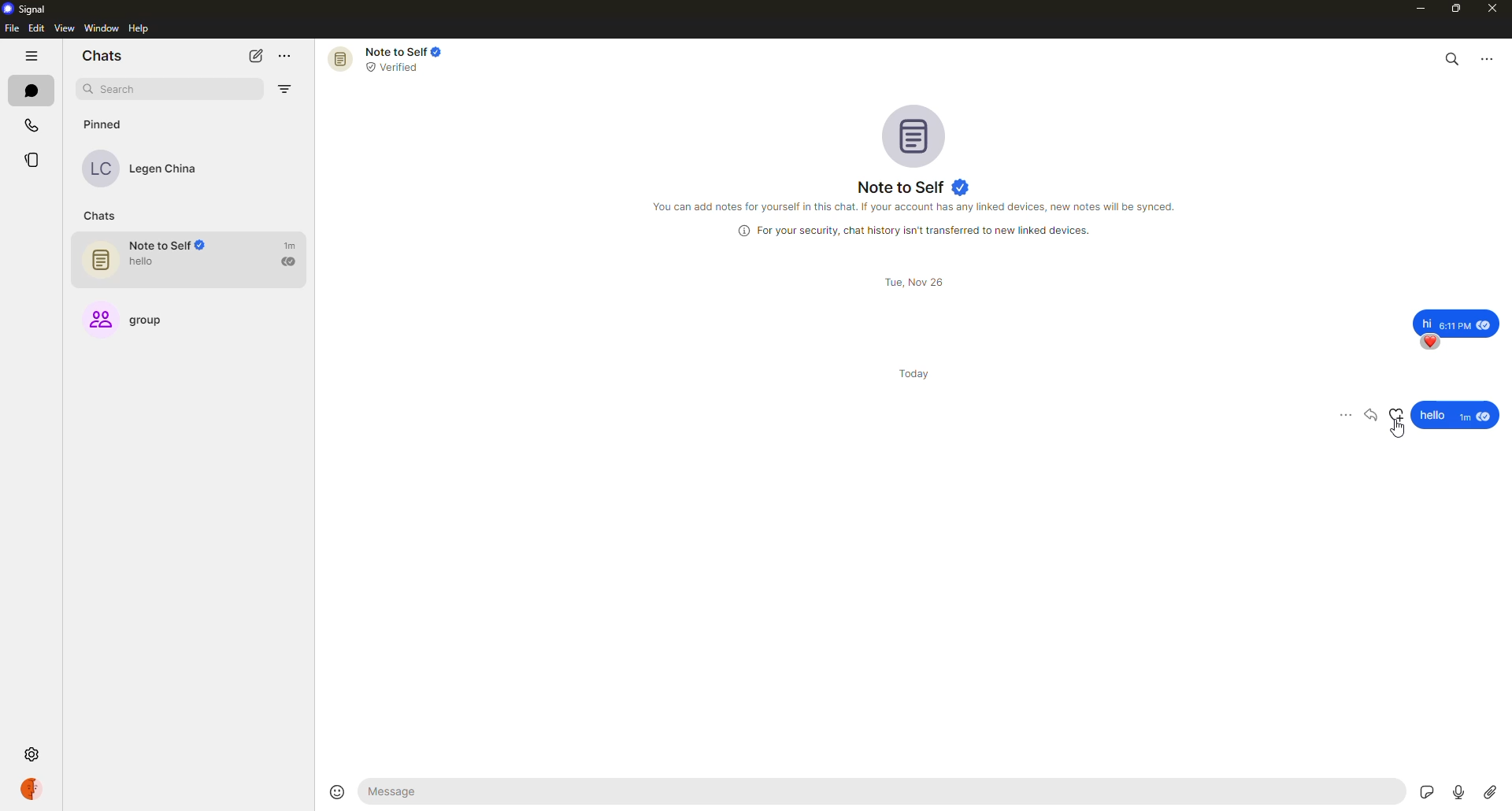 The image size is (1512, 811). I want to click on group, so click(134, 314).